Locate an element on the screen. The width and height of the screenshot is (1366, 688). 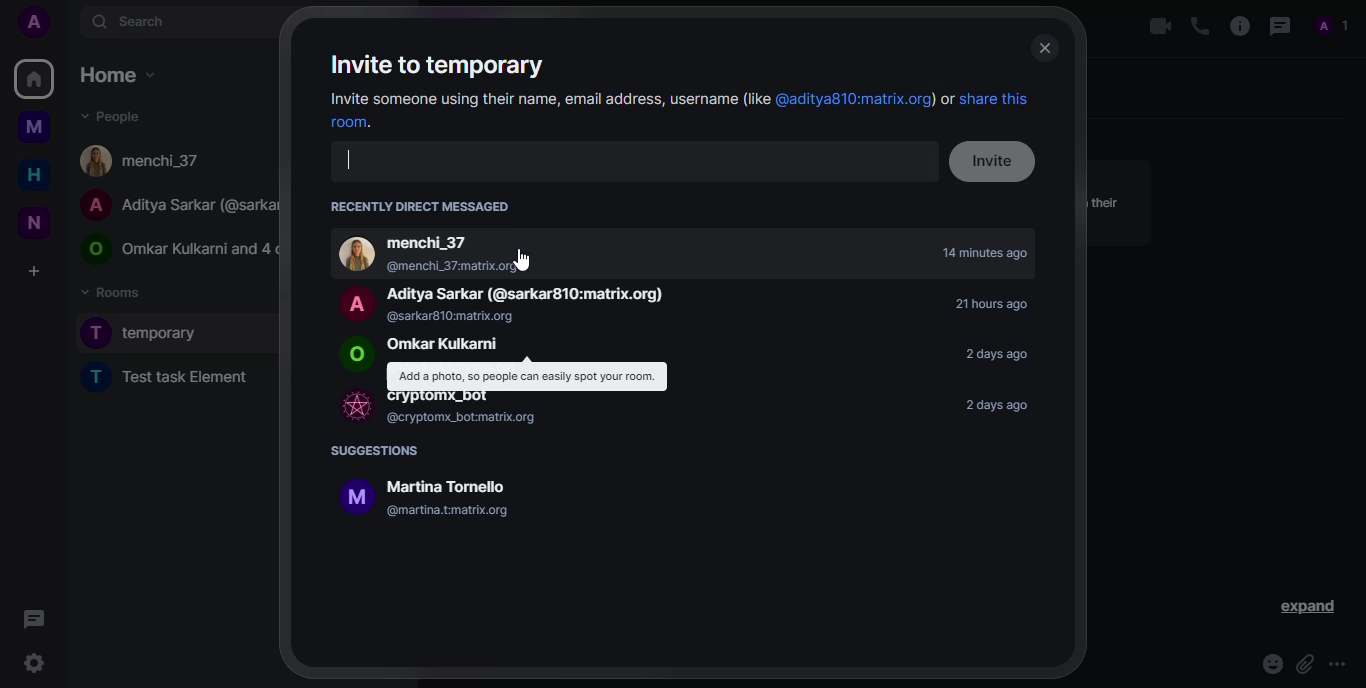
profile is located at coordinates (1329, 25).